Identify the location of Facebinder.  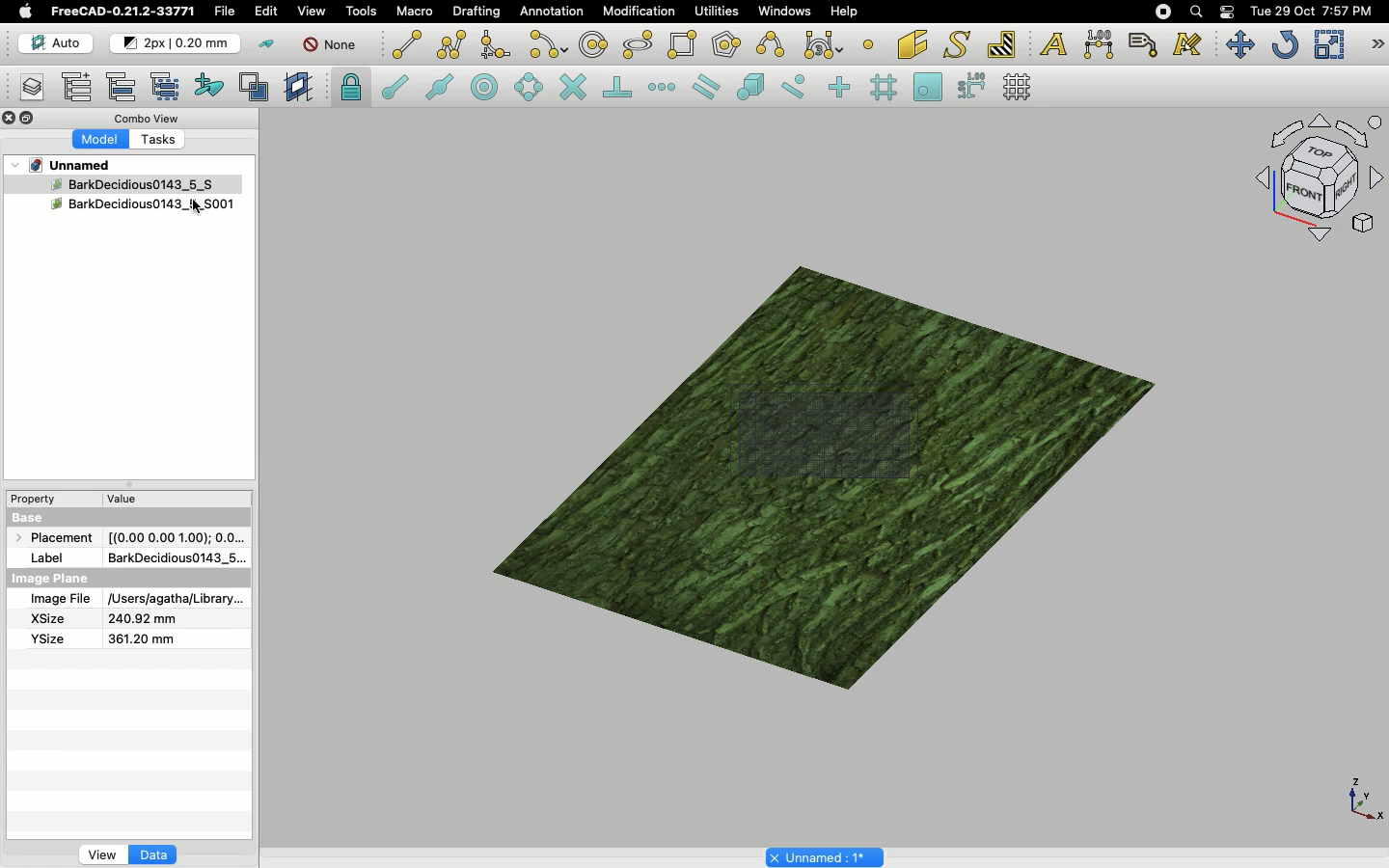
(912, 46).